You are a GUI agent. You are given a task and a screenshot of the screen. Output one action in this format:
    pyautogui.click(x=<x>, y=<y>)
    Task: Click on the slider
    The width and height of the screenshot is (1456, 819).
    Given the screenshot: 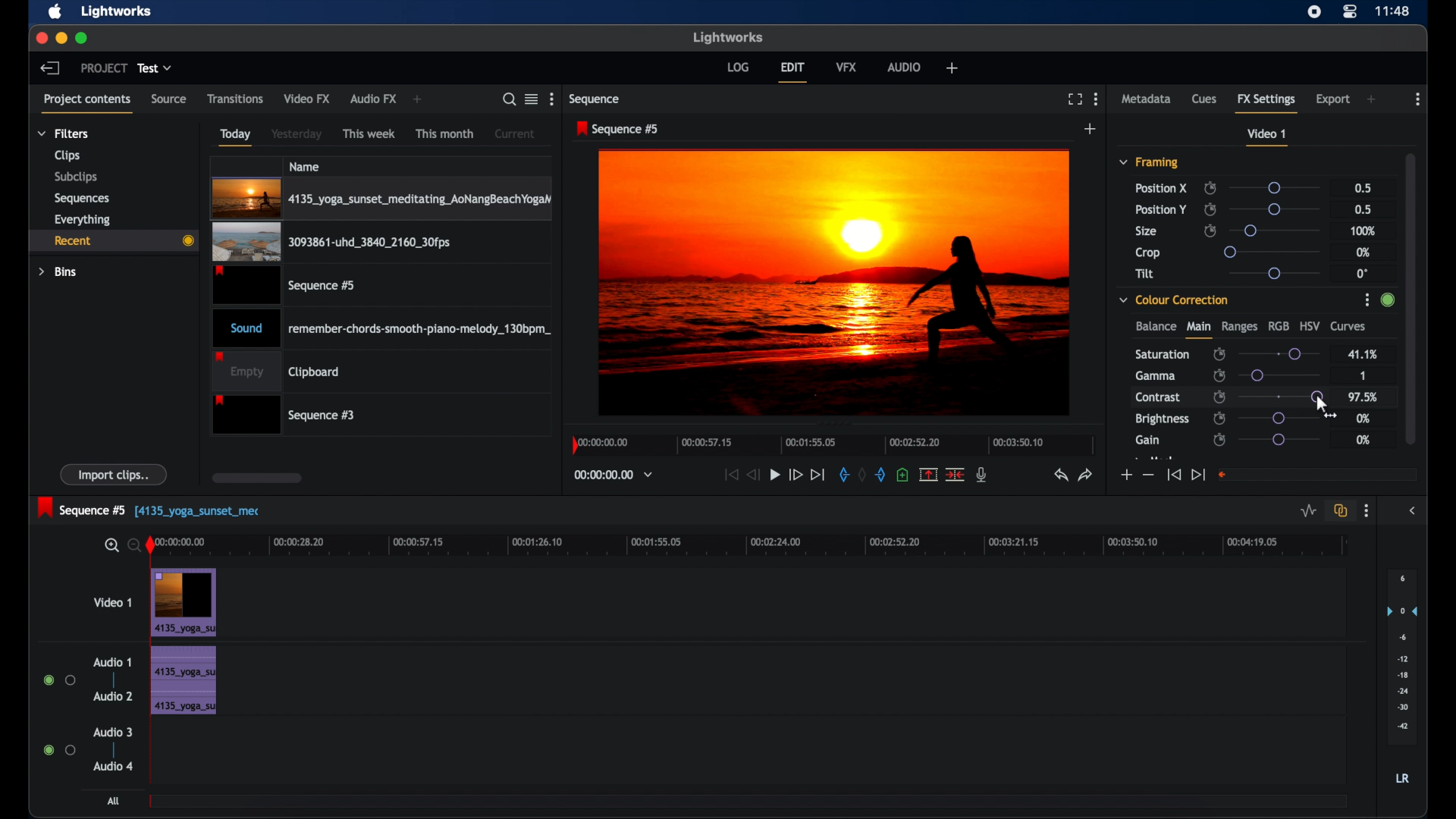 What is the action you would take?
    pyautogui.click(x=1274, y=230)
    